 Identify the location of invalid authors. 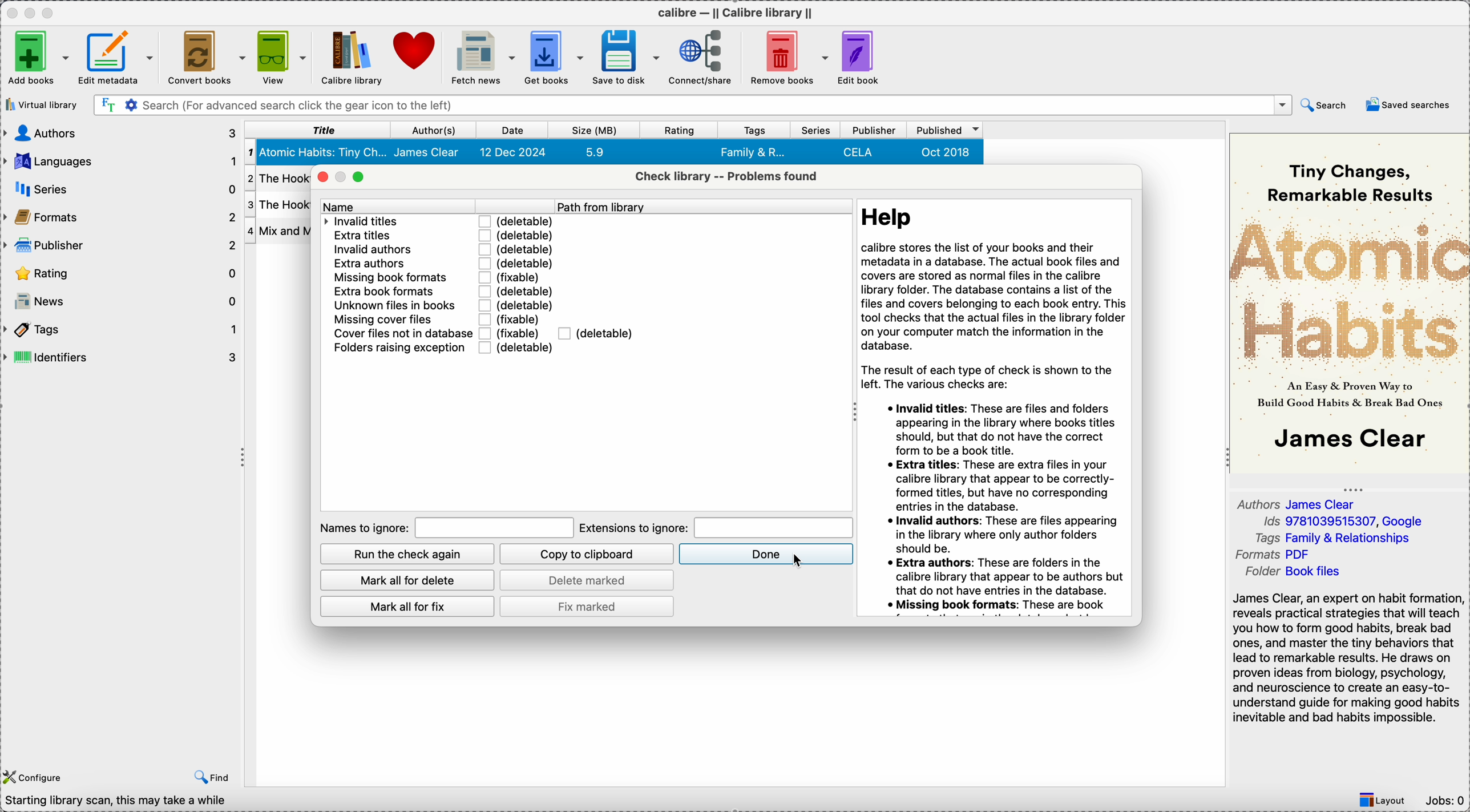
(385, 248).